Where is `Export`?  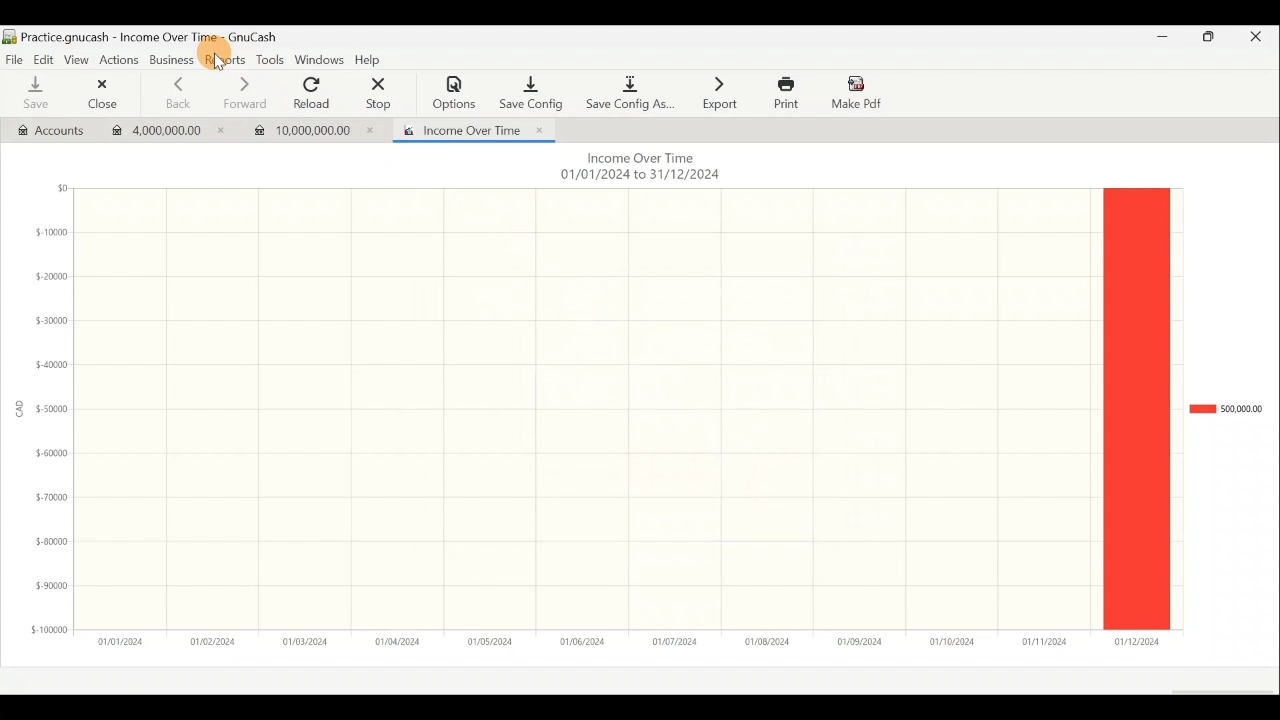
Export is located at coordinates (720, 92).